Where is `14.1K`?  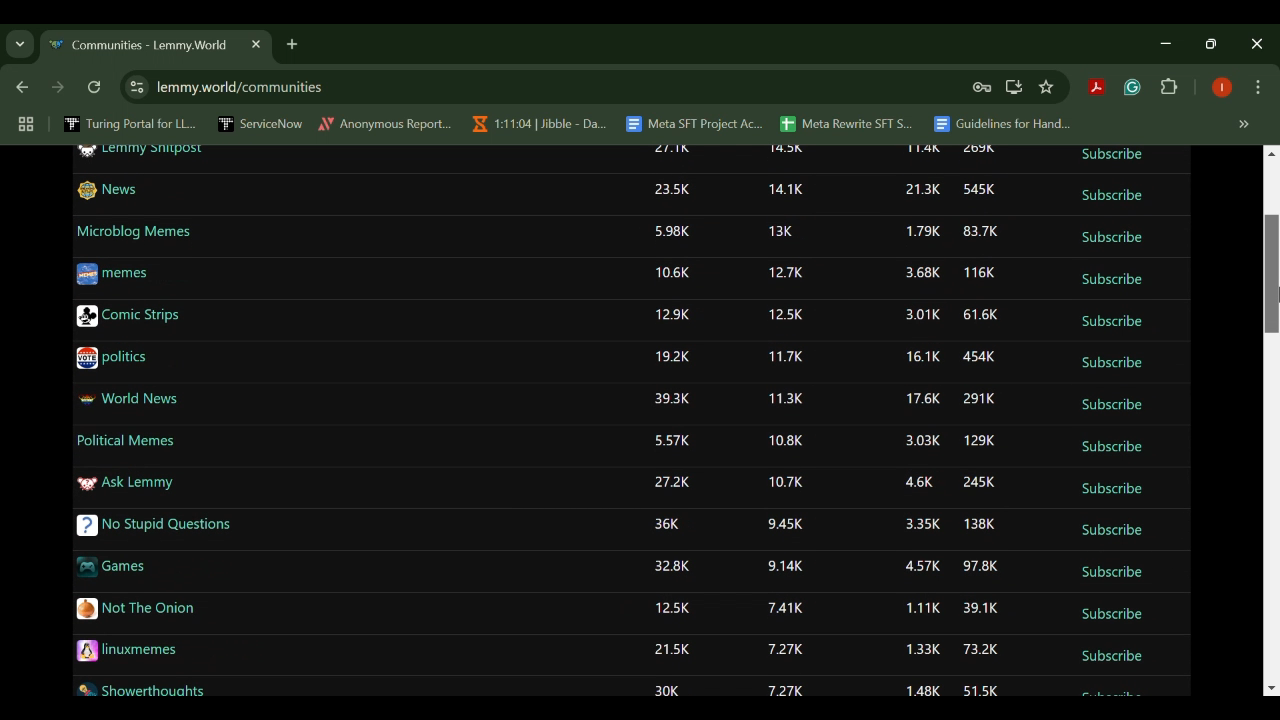 14.1K is located at coordinates (787, 191).